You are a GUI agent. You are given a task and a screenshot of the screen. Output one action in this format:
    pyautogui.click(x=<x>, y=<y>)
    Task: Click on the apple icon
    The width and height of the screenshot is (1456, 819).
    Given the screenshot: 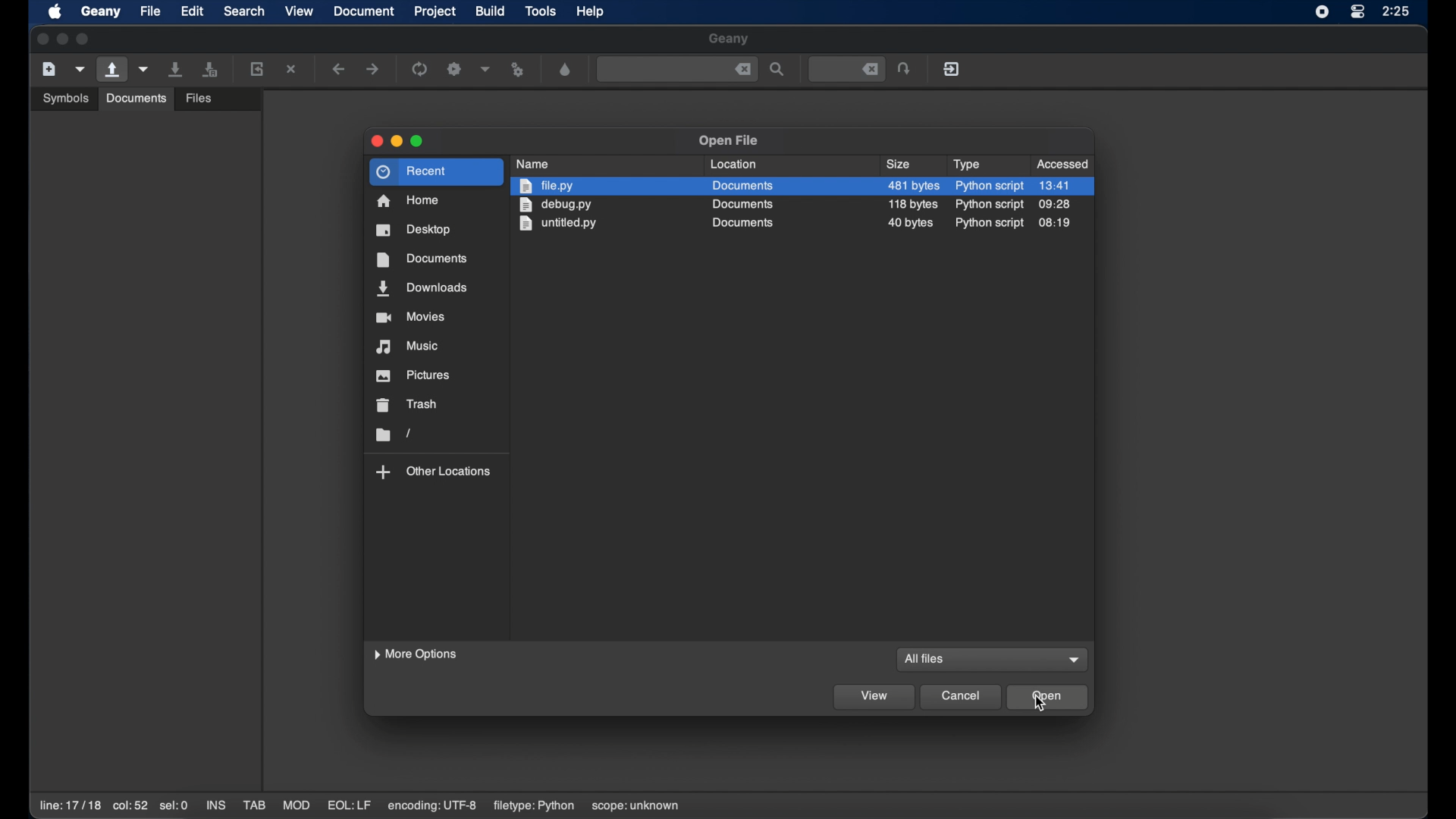 What is the action you would take?
    pyautogui.click(x=55, y=12)
    